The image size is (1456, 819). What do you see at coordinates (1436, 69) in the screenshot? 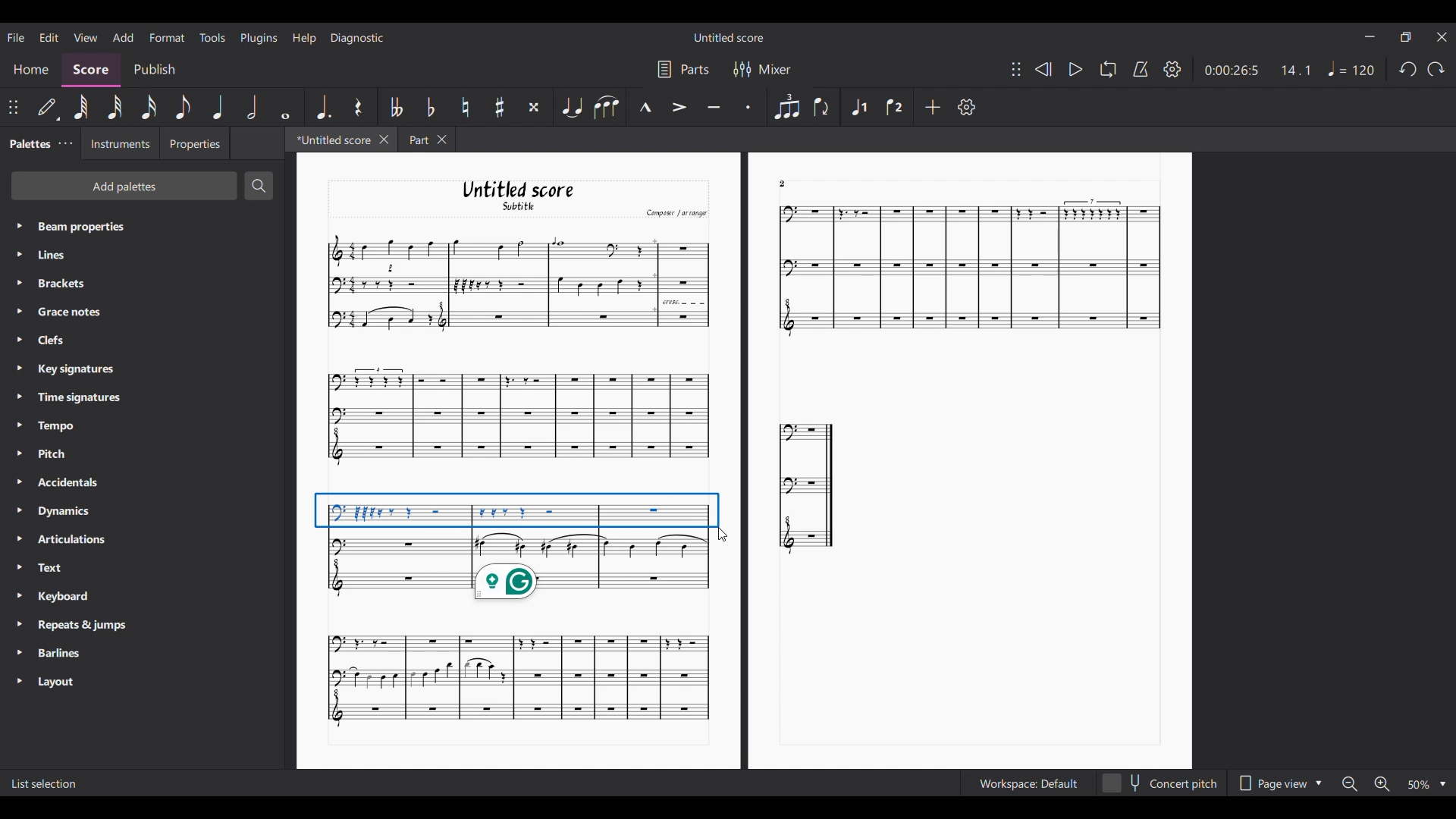
I see `Redo` at bounding box center [1436, 69].